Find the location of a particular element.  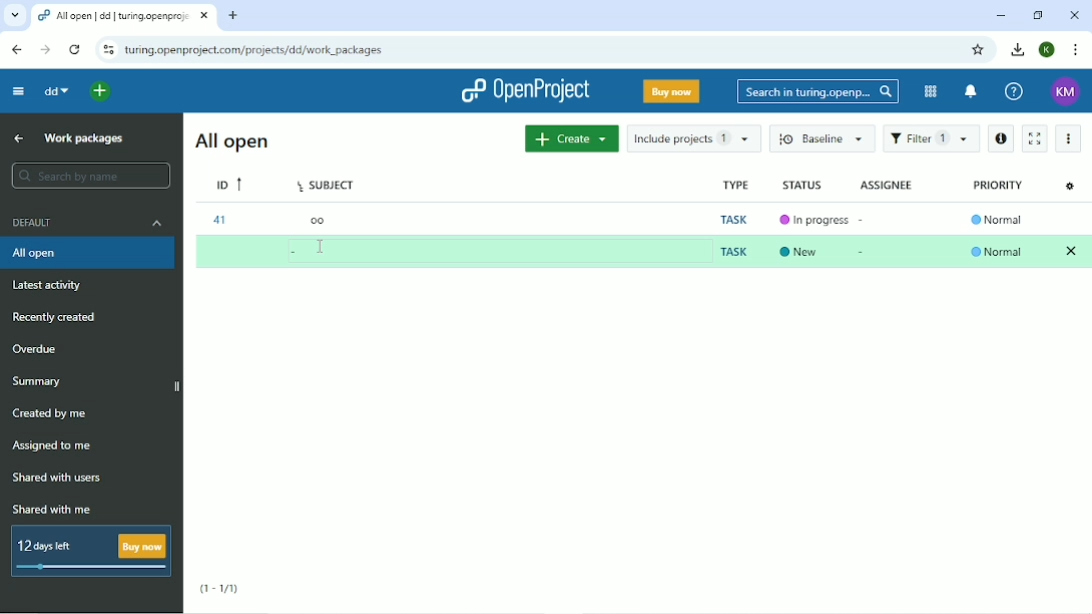

Priority is located at coordinates (999, 185).